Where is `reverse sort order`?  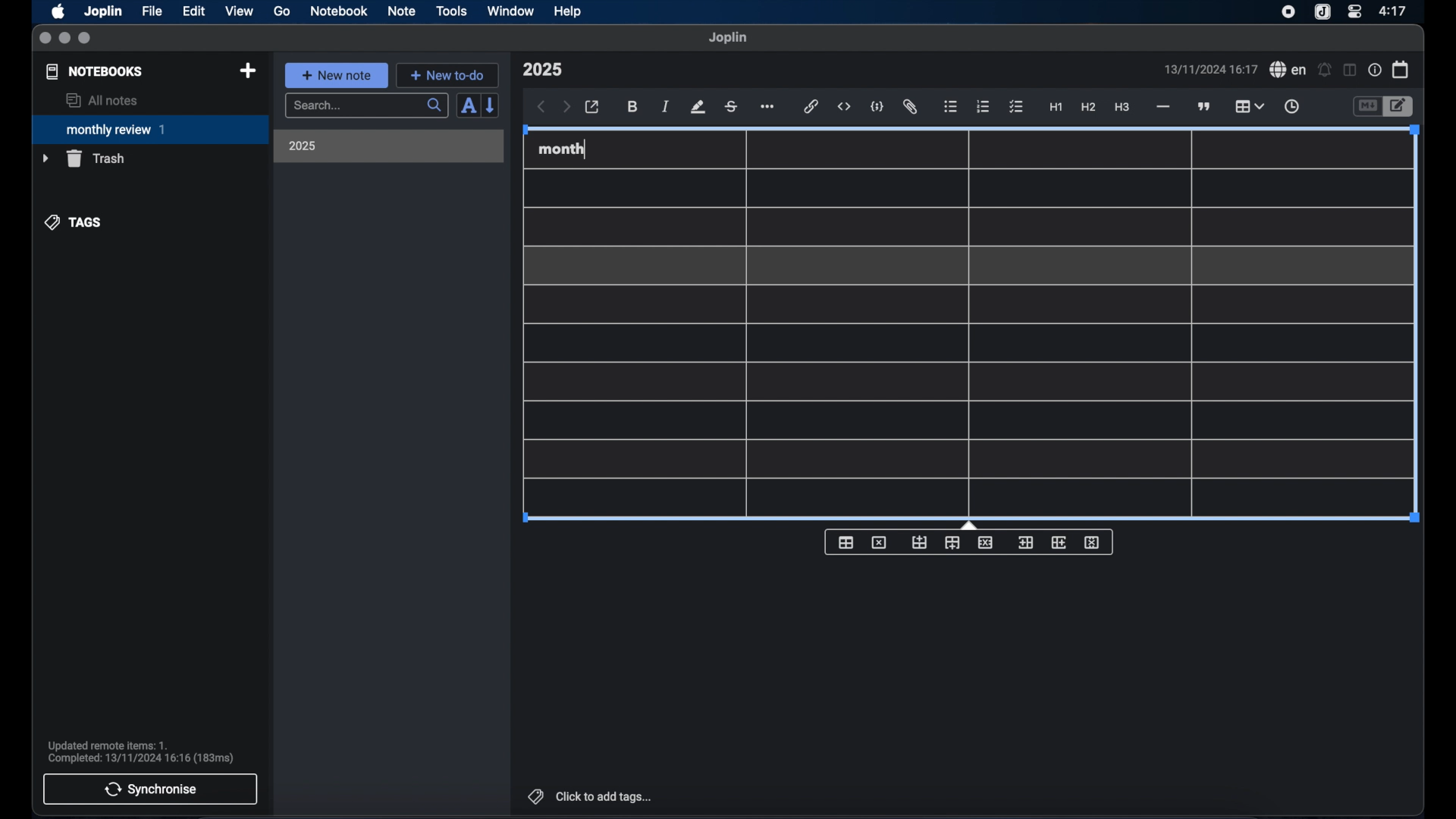
reverse sort order is located at coordinates (491, 105).